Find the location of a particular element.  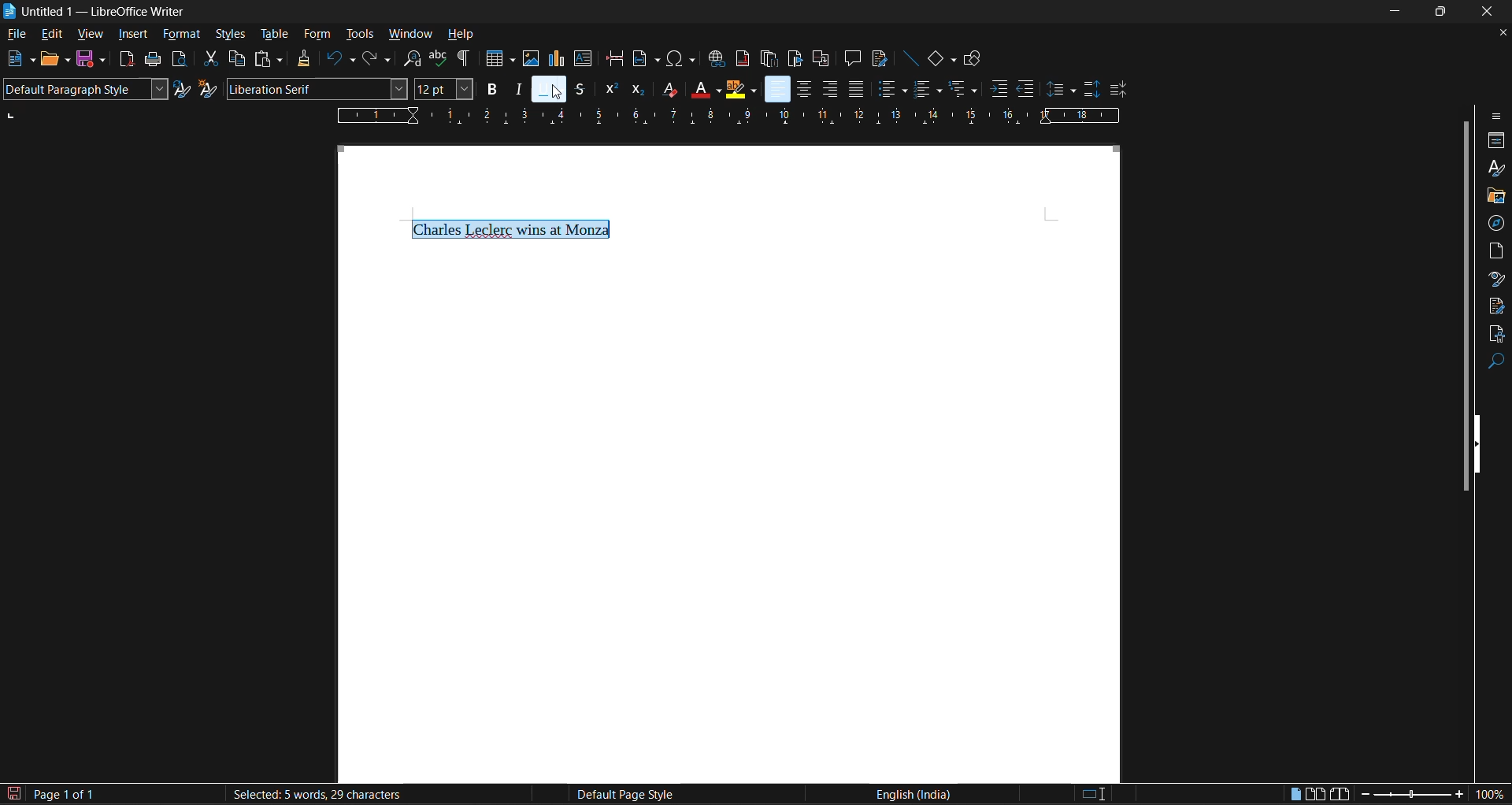

insert bookmark is located at coordinates (795, 59).